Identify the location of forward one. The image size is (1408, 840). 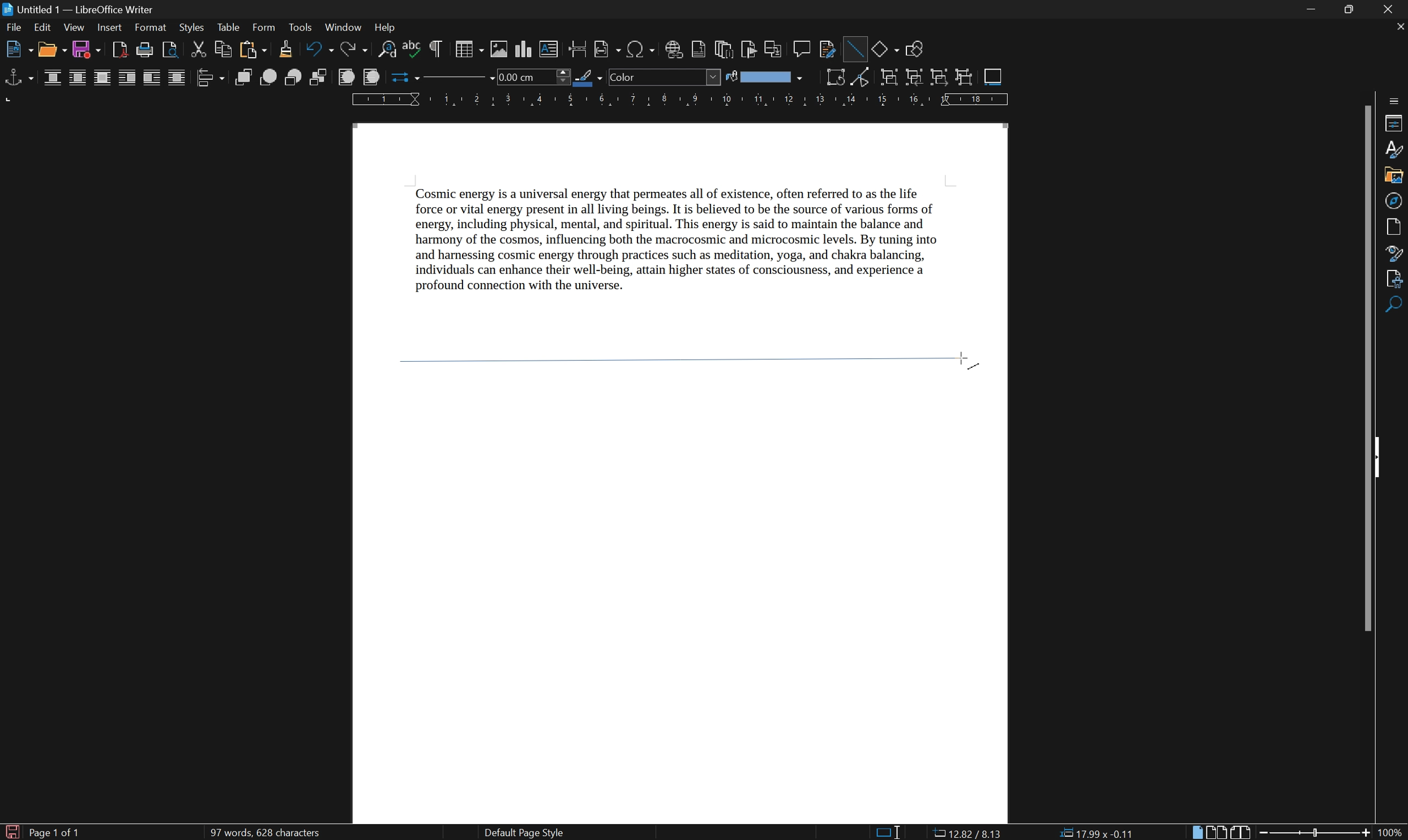
(268, 77).